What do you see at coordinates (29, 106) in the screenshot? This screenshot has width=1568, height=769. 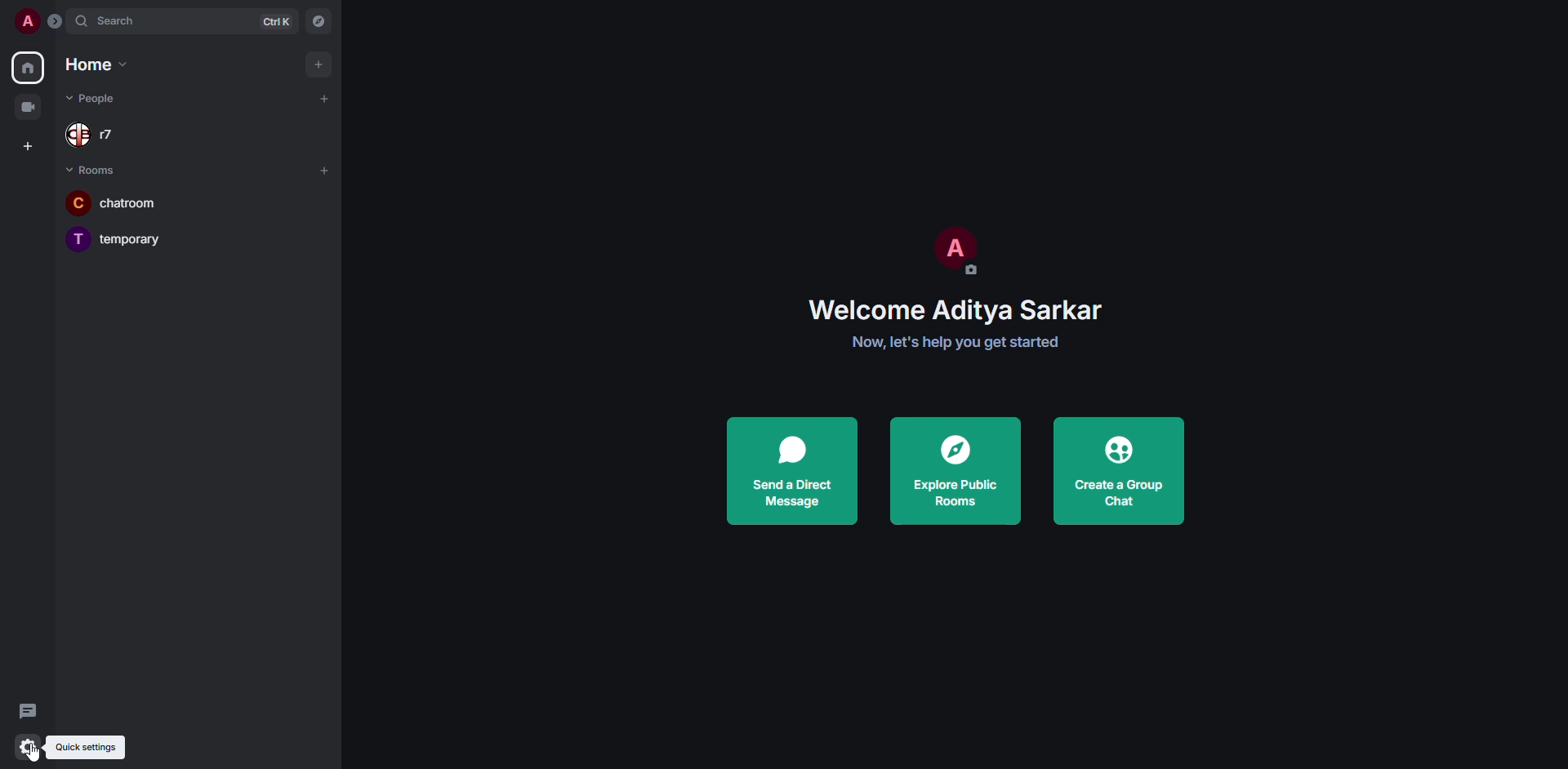 I see `video room` at bounding box center [29, 106].